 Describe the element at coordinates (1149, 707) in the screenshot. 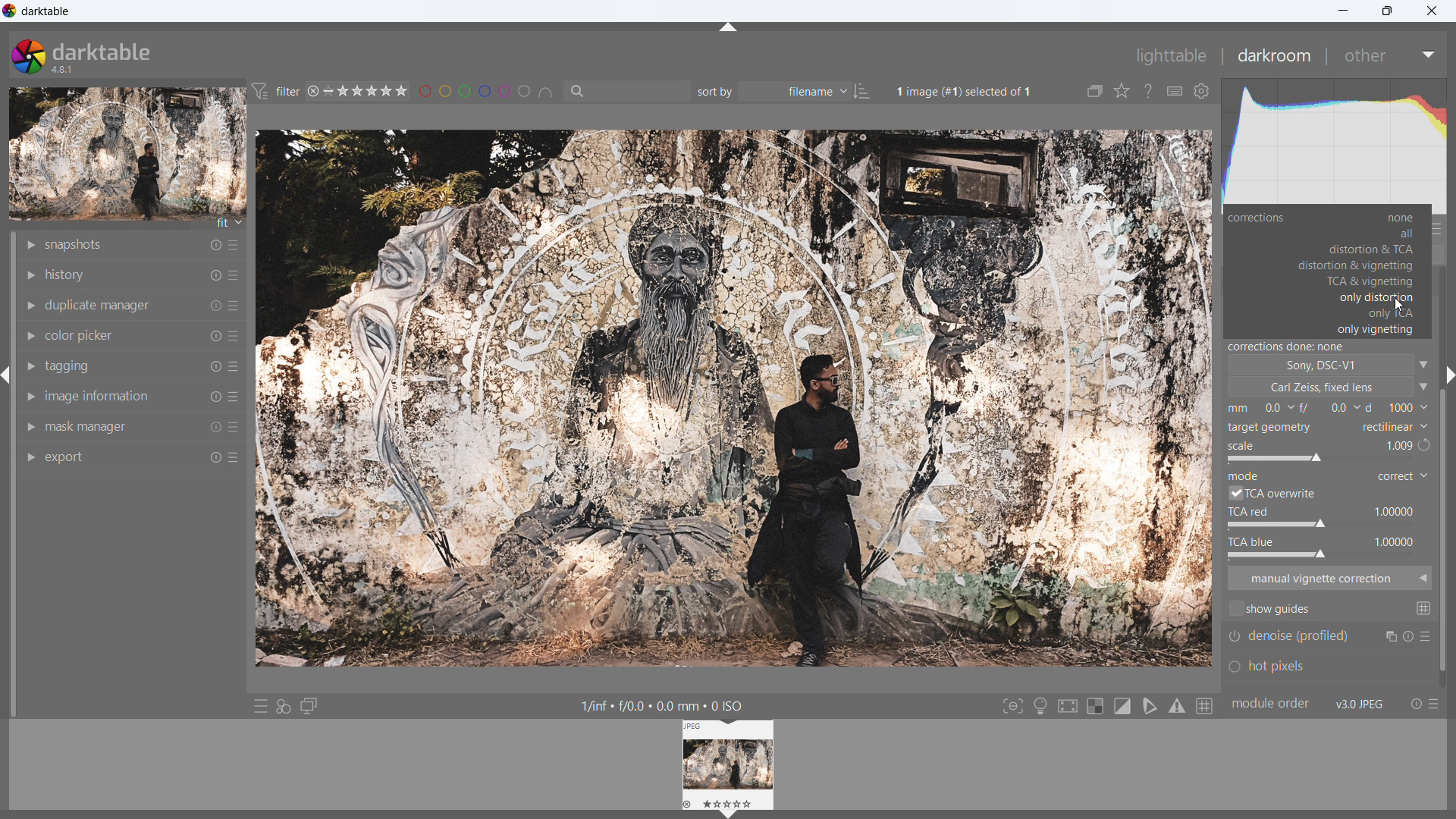

I see `toggle softproofing` at that location.